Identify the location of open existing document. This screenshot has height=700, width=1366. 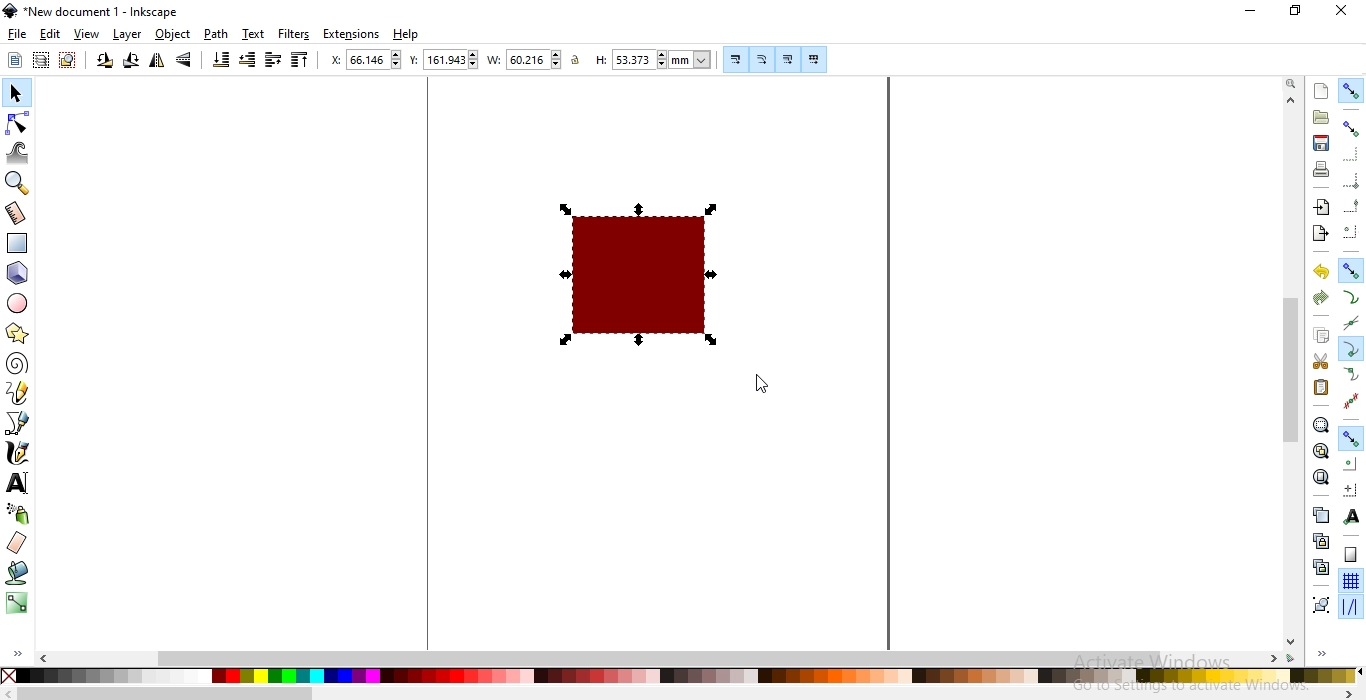
(1321, 117).